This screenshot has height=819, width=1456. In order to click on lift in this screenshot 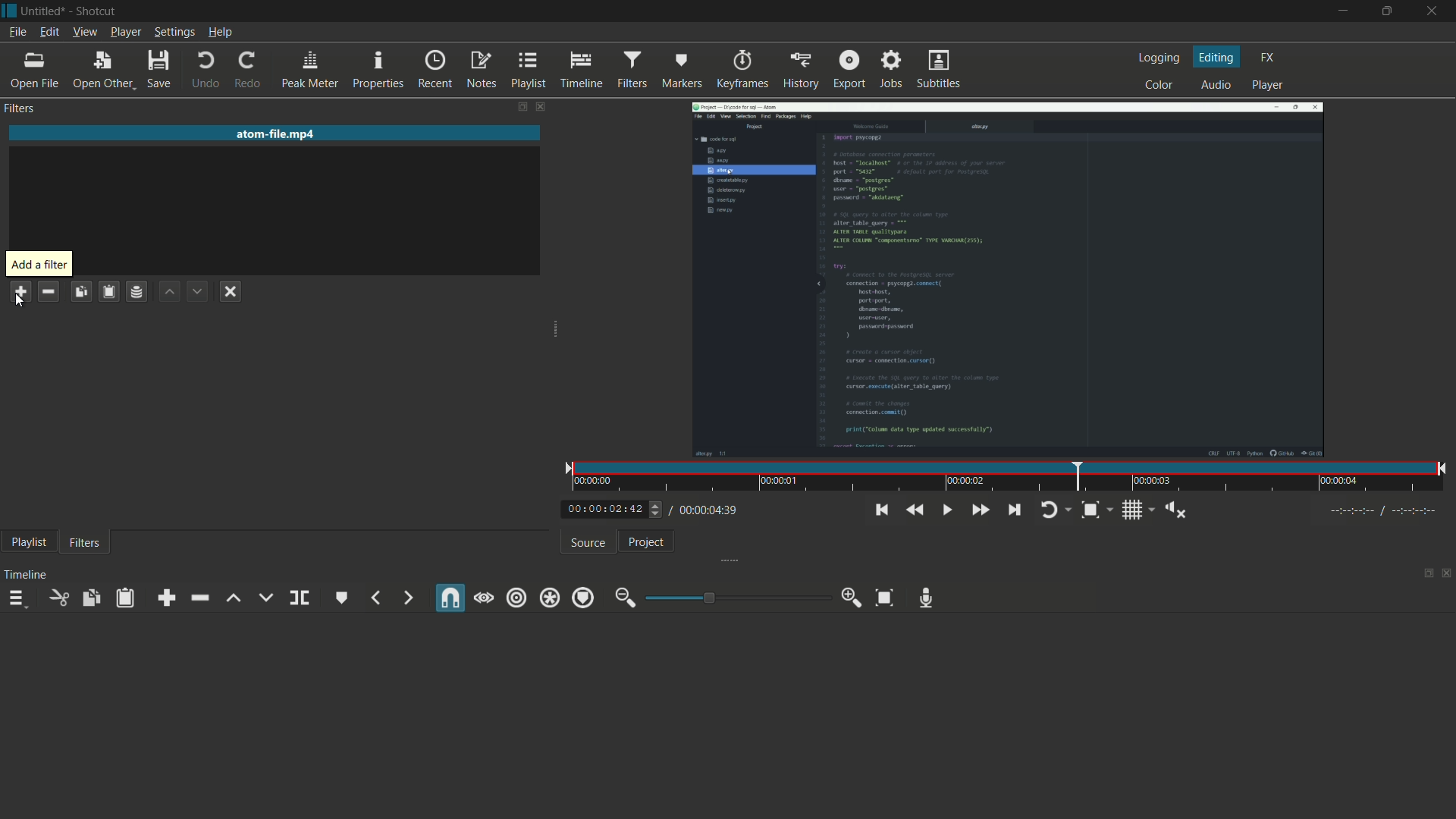, I will do `click(233, 598)`.